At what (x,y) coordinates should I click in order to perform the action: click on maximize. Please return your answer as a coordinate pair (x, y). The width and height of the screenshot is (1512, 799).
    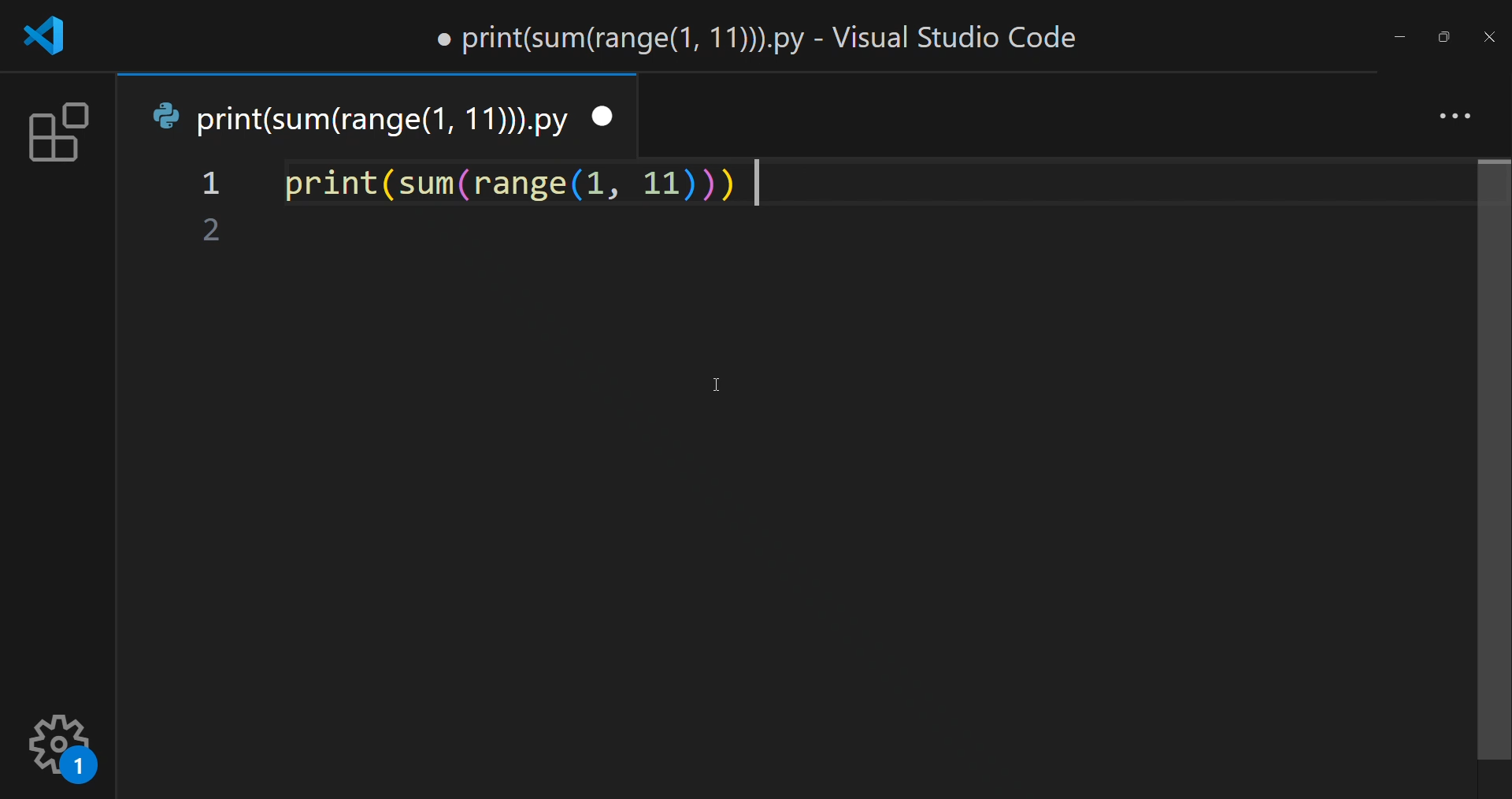
    Looking at the image, I should click on (1440, 33).